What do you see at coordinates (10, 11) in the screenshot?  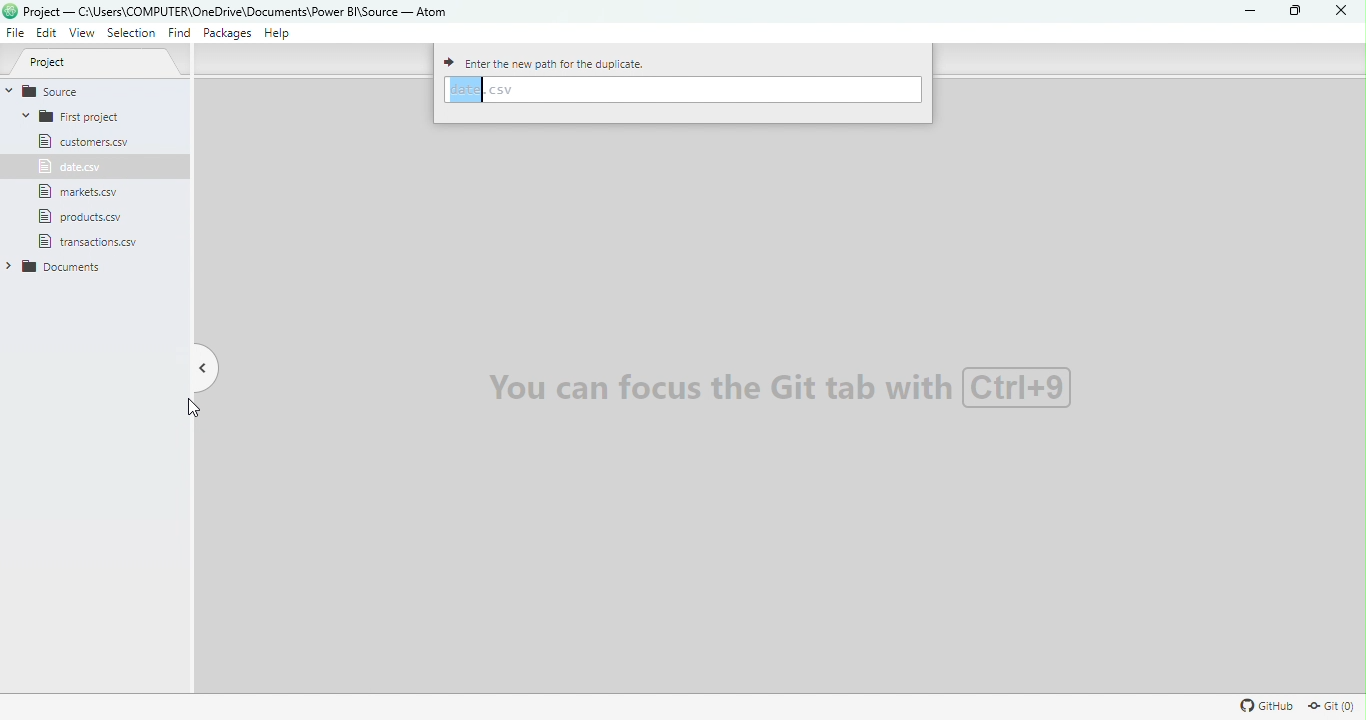 I see `logo` at bounding box center [10, 11].